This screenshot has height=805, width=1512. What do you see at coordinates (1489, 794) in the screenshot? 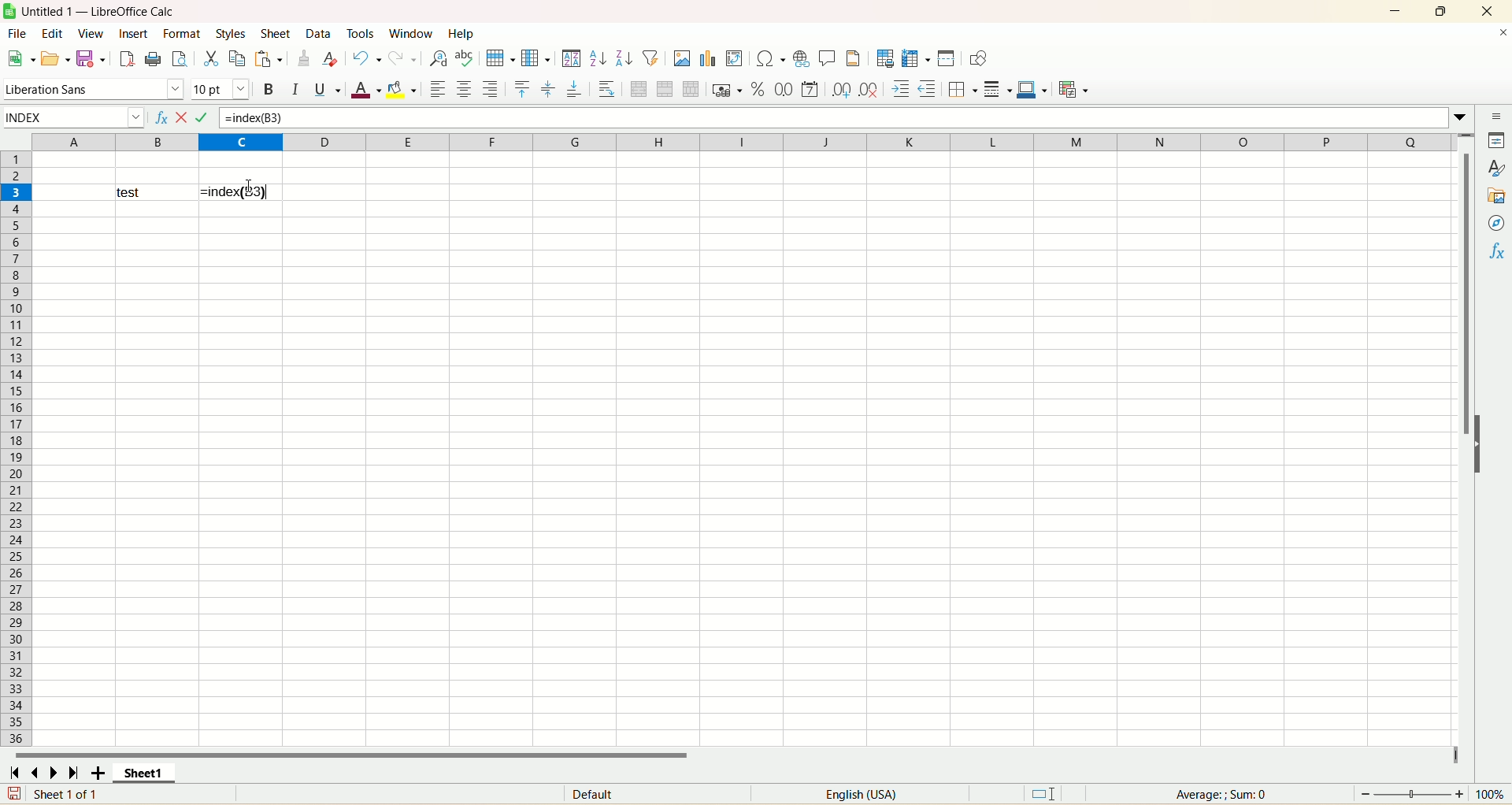
I see `100%` at bounding box center [1489, 794].